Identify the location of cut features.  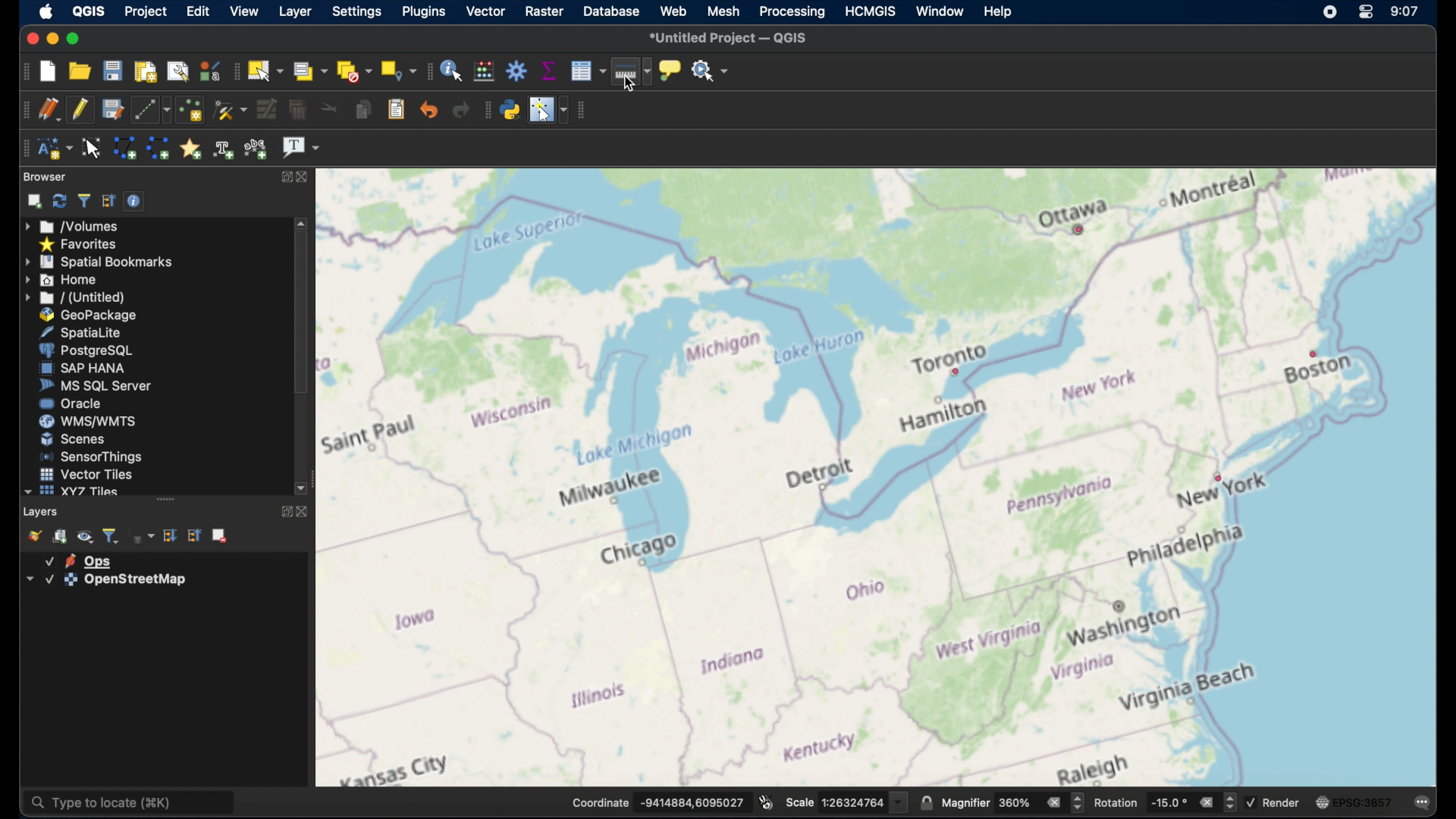
(326, 108).